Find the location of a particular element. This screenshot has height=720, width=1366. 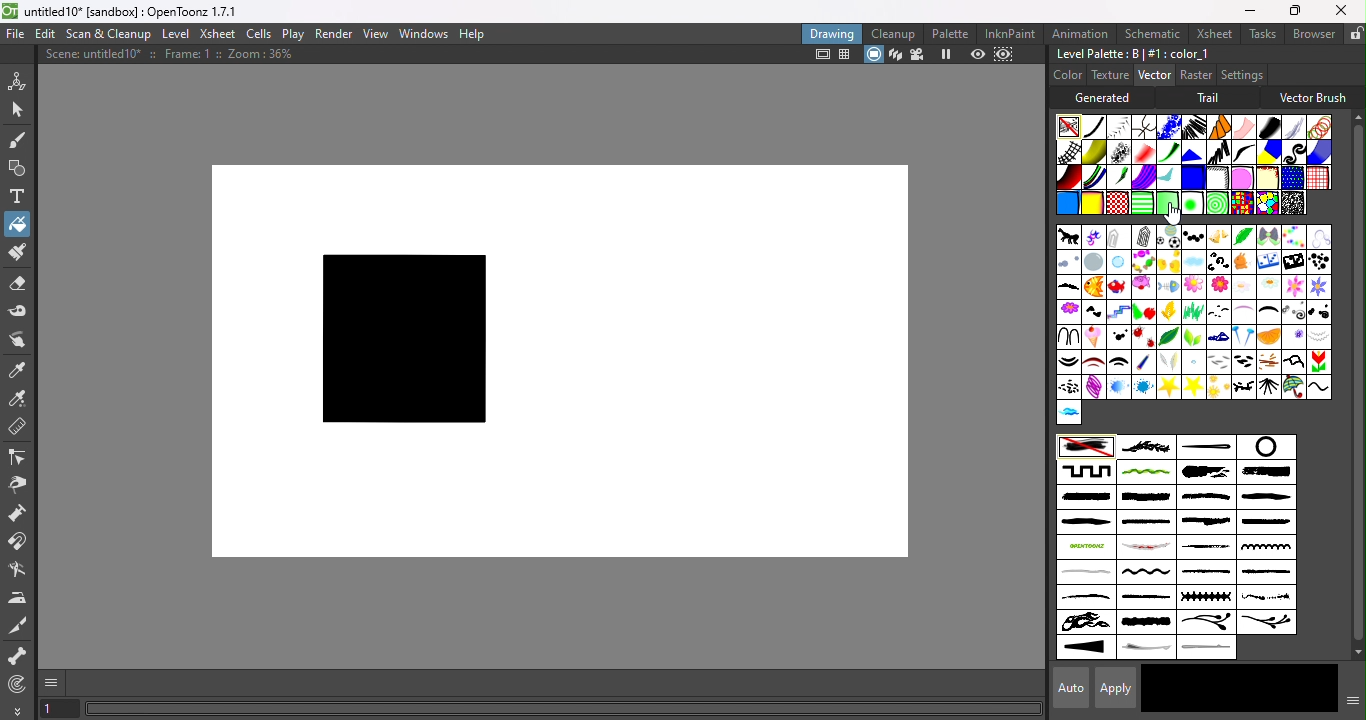

Maximize is located at coordinates (1292, 12).